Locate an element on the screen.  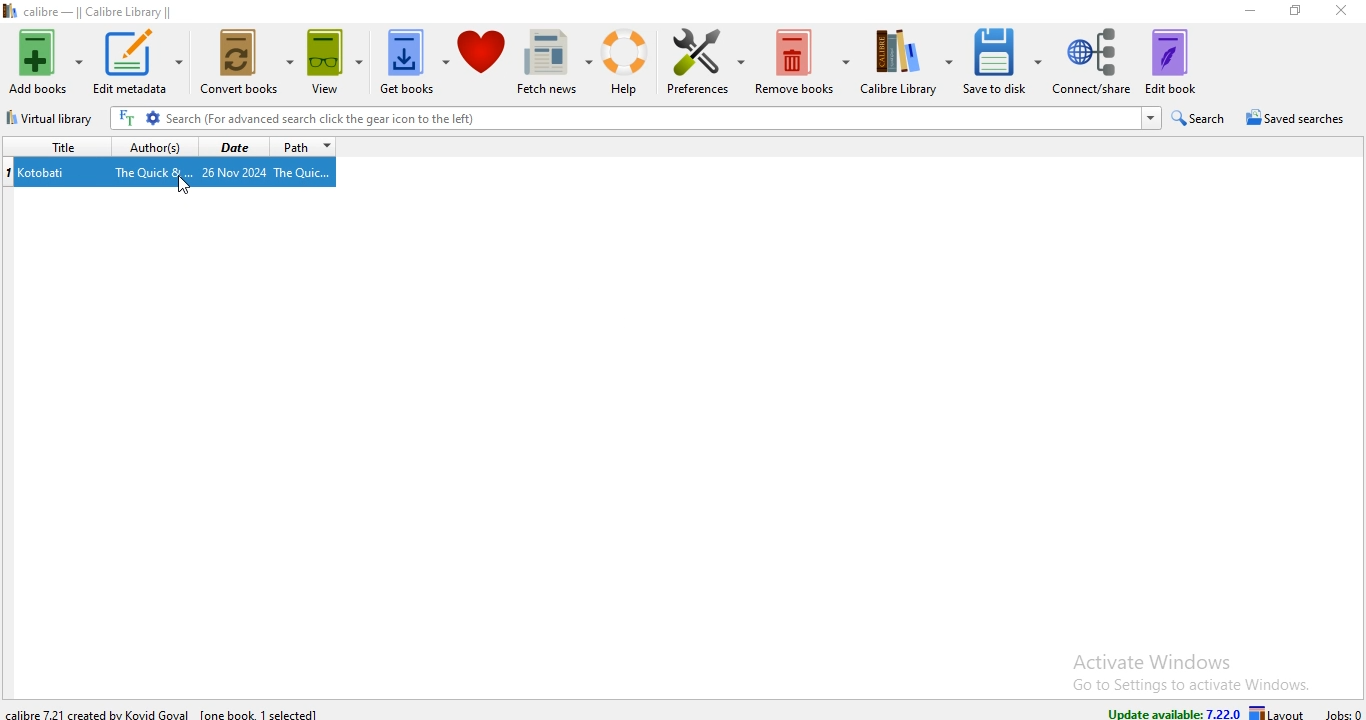
remove books is located at coordinates (802, 60).